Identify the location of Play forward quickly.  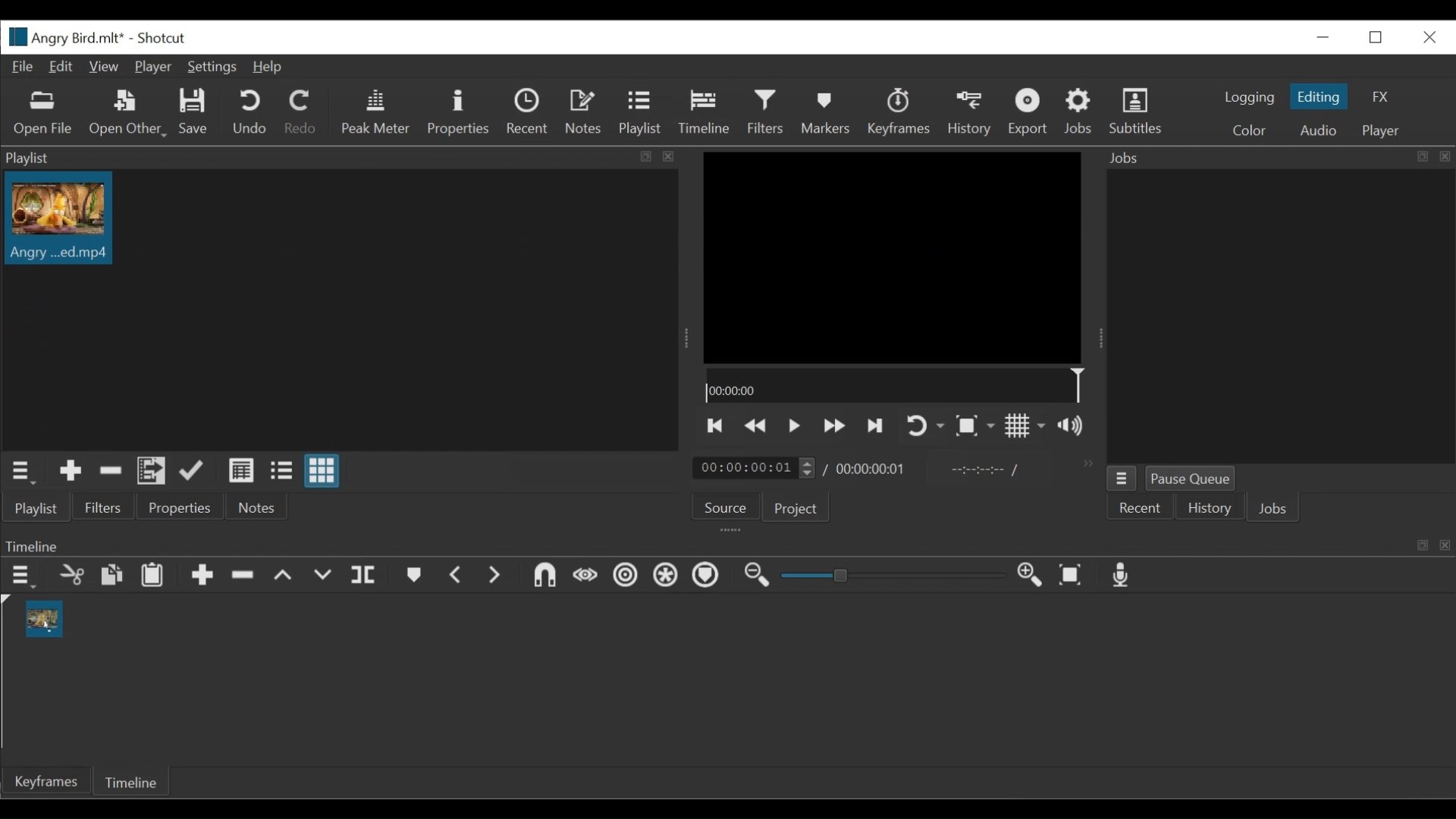
(832, 425).